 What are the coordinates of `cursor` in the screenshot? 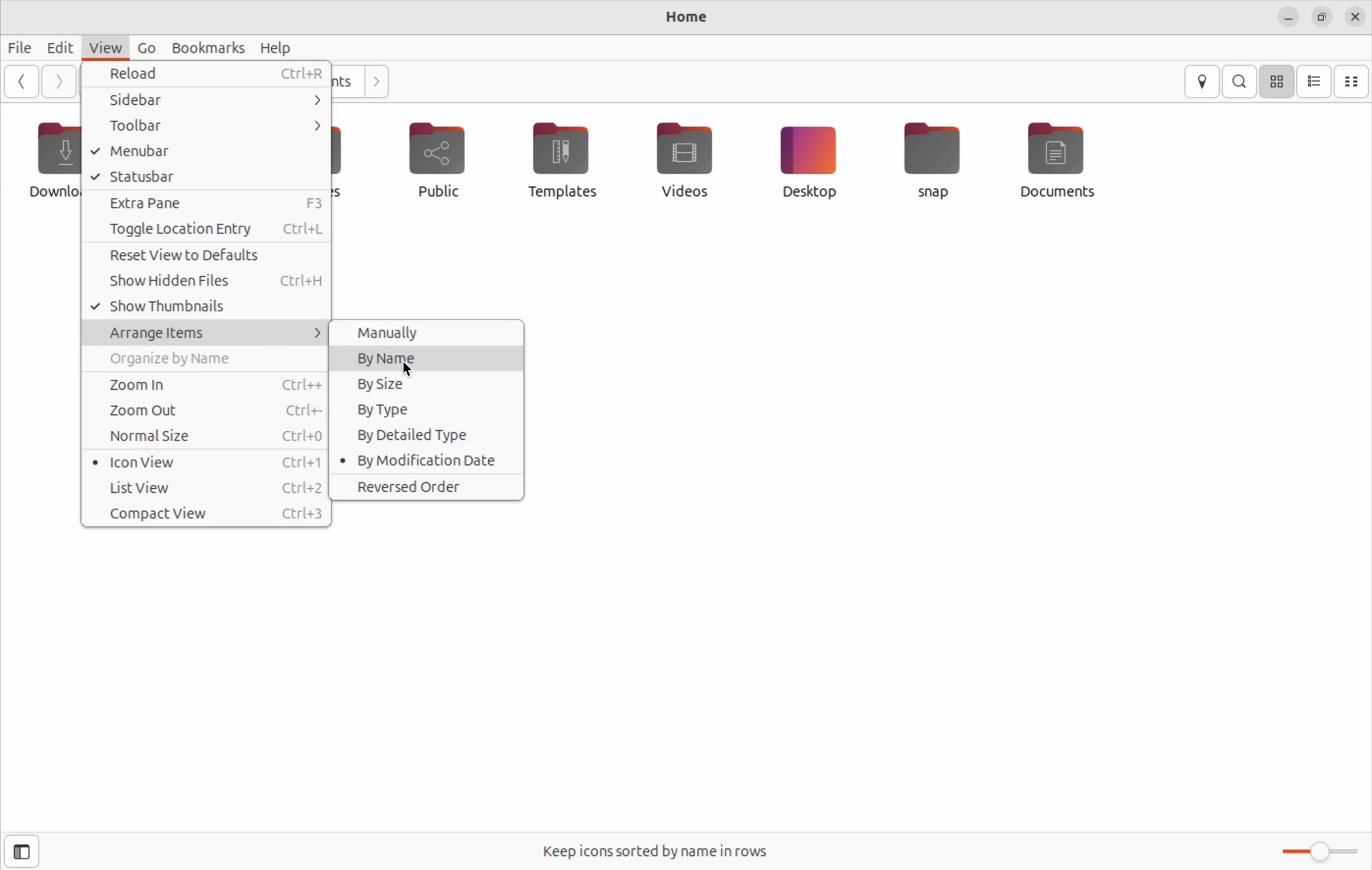 It's located at (408, 368).